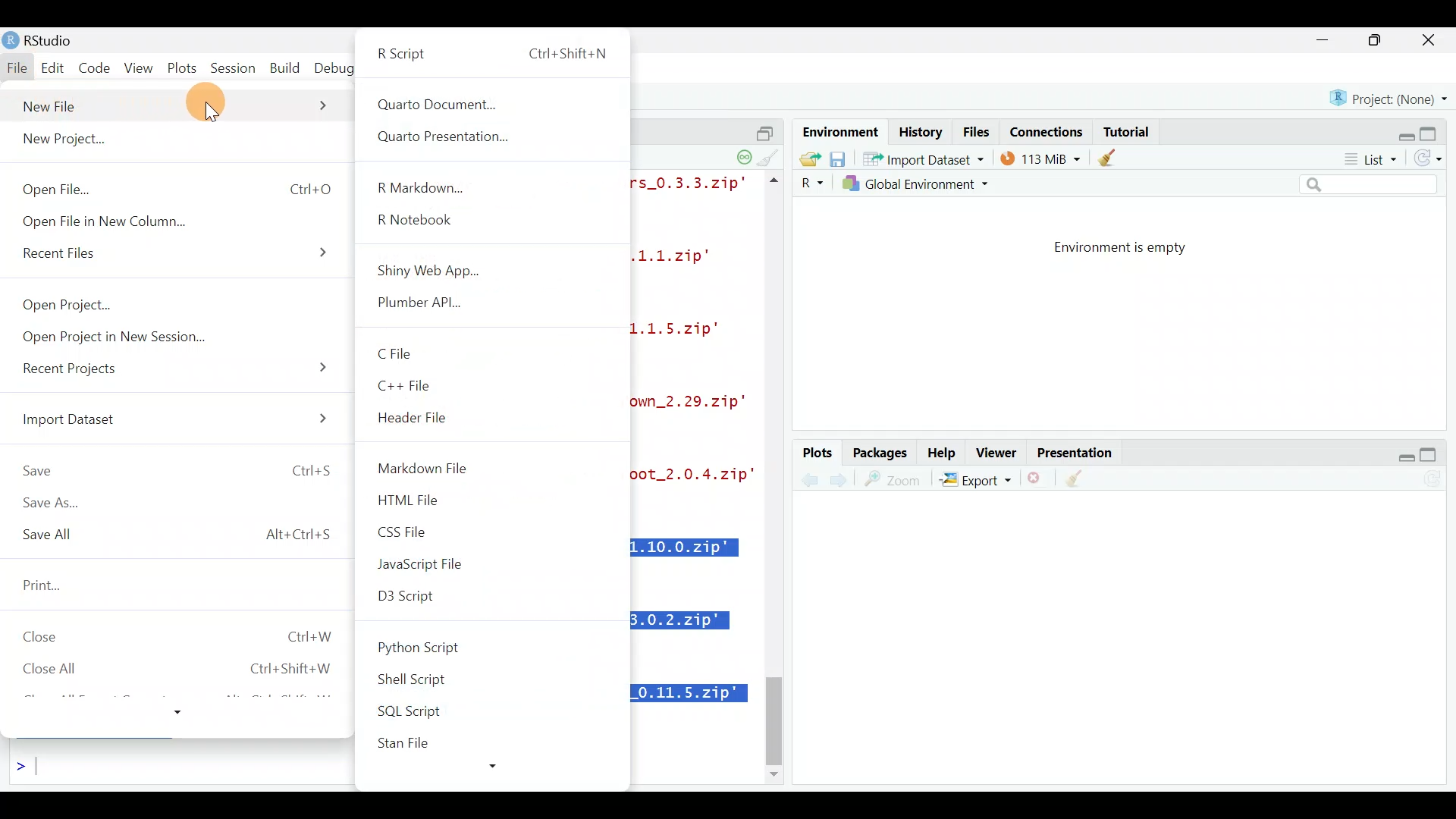  I want to click on Save All Alt+Ctrl+S, so click(181, 535).